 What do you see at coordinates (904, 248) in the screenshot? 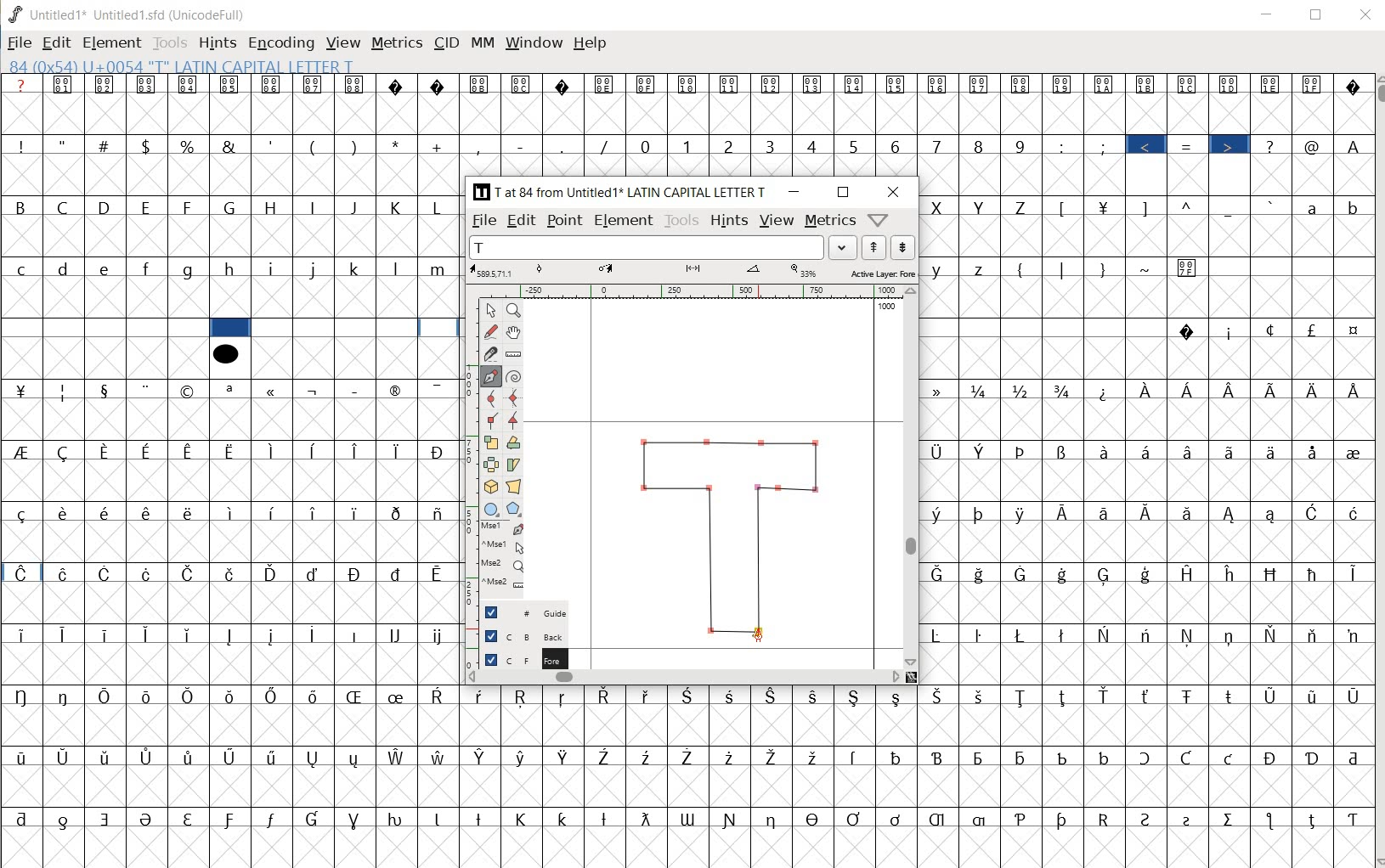
I see `next word` at bounding box center [904, 248].